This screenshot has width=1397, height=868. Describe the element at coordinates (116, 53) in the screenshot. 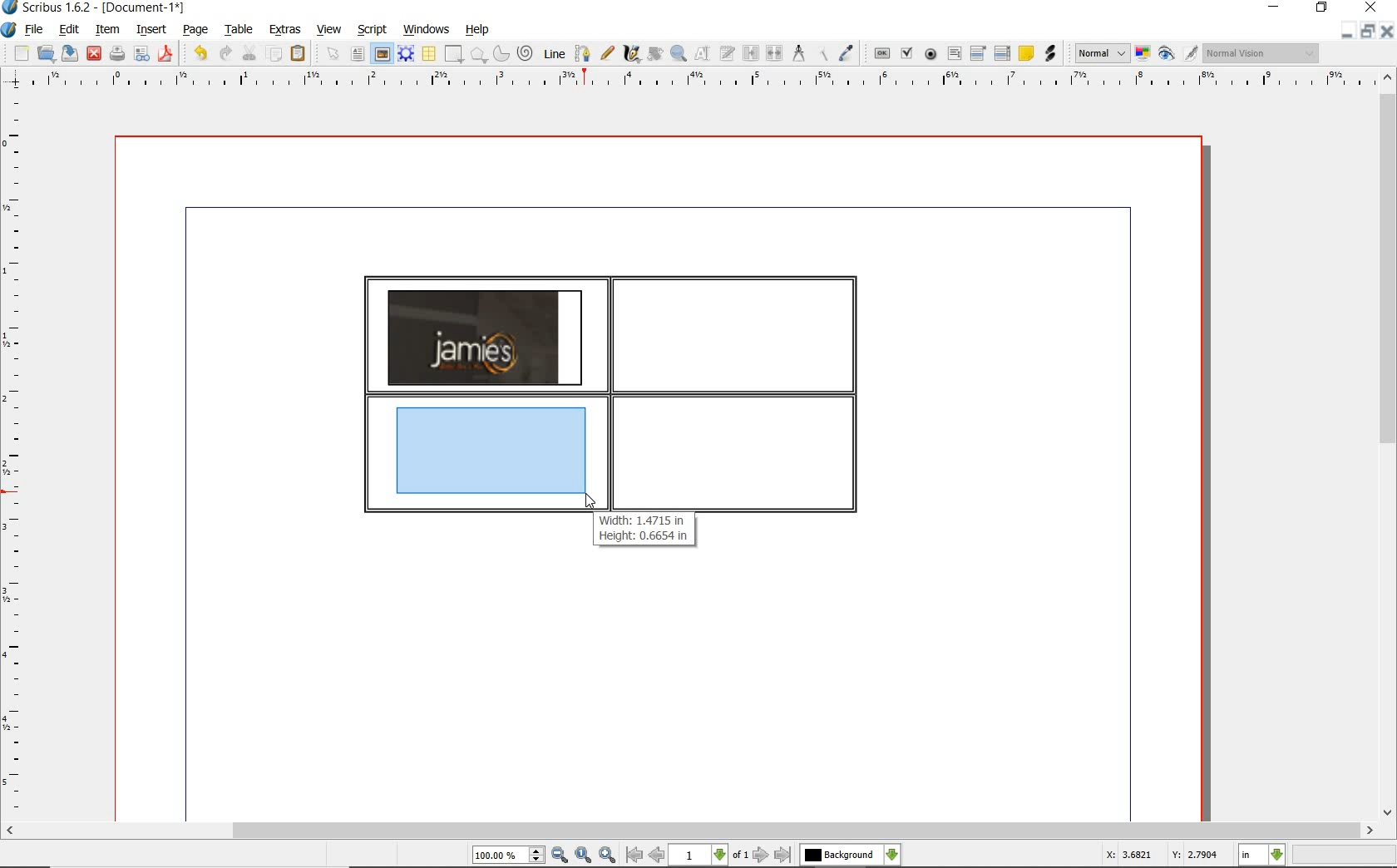

I see `print` at that location.